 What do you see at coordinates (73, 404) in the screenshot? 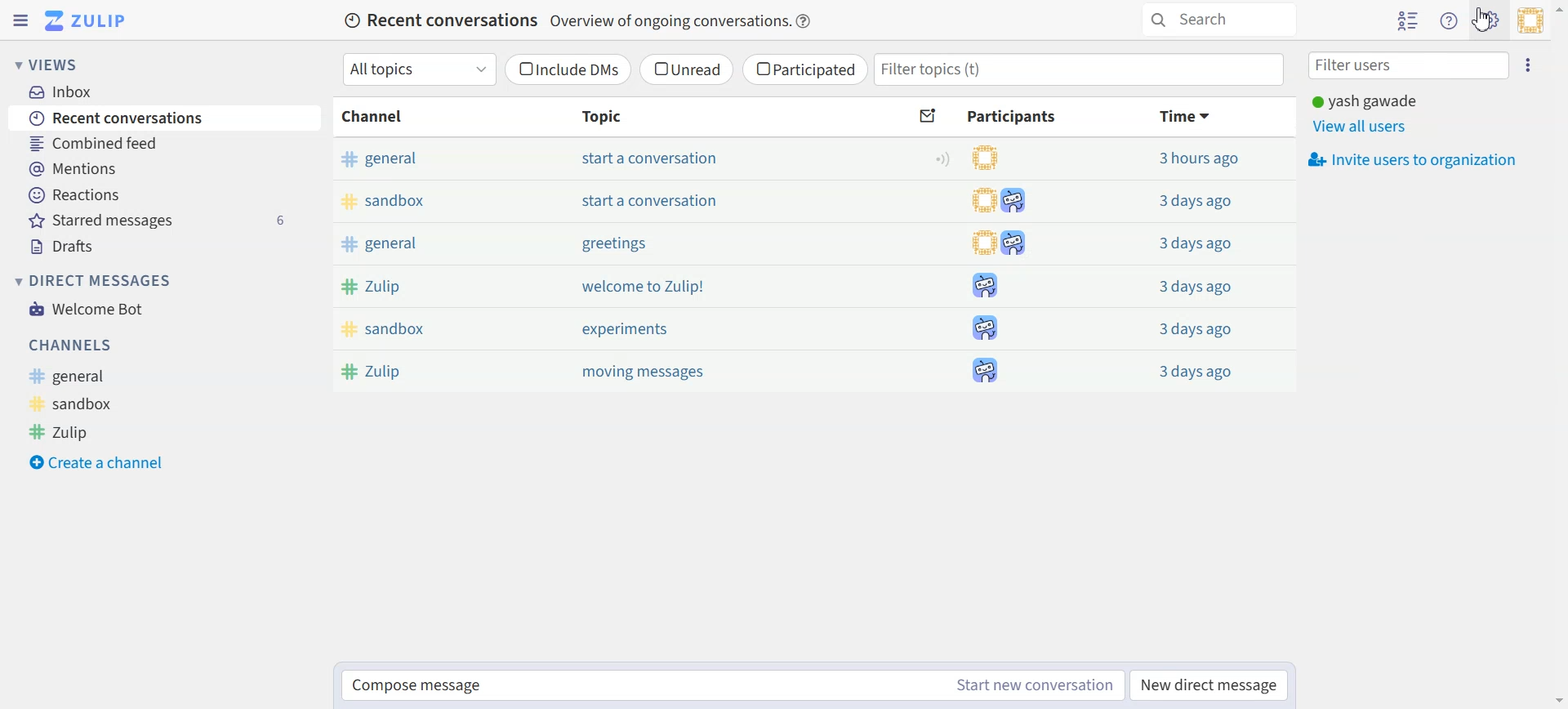
I see `Sandbox` at bounding box center [73, 404].